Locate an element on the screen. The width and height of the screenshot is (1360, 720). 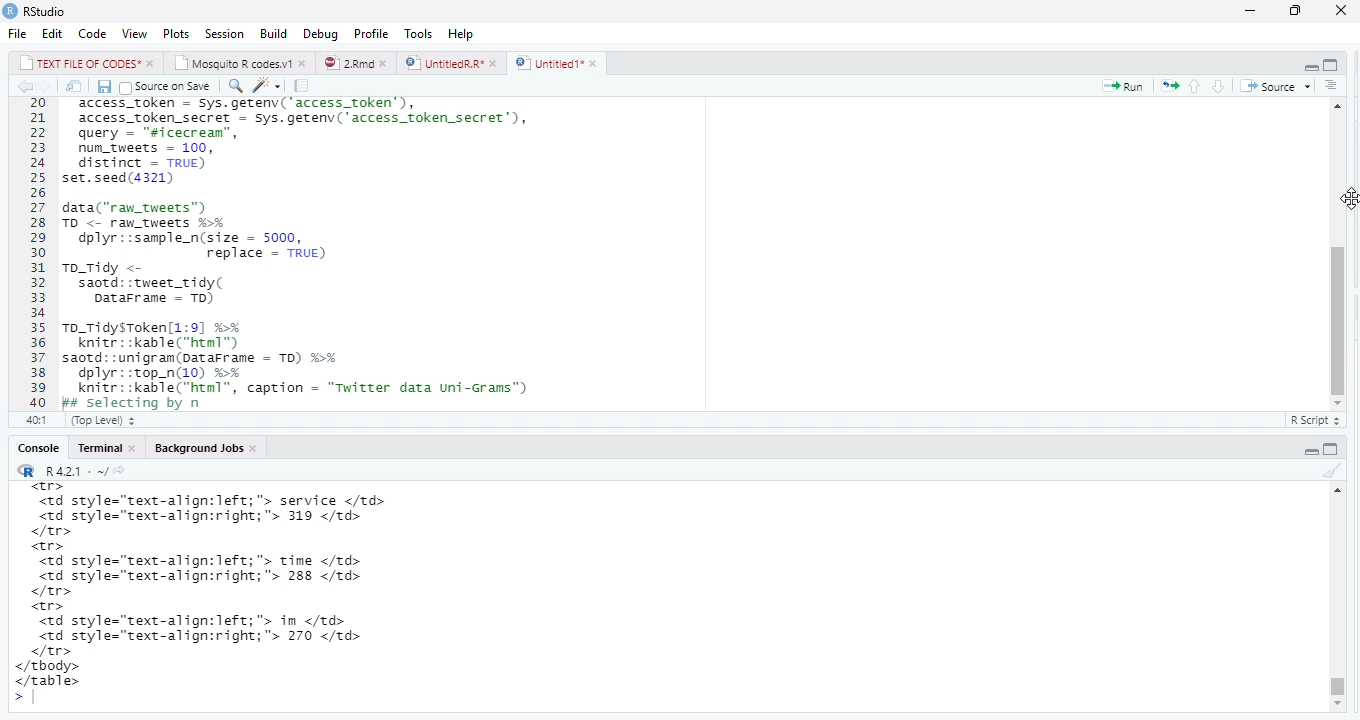
<tr>
<td style="text-align:left; "> service </td>
<td style="text-align:right;"> 319 </td>
</tr>
<tr>
<td style="text-align:left; "> time </td>
<td style="text-align:right;"> 288 </td>
</tr>
<tr>
<td style="text-align:left; "> in </td>
<td style="text-align:right;"> 270 </td>
</tr>

</tbody>

</table>

> is located at coordinates (242, 595).